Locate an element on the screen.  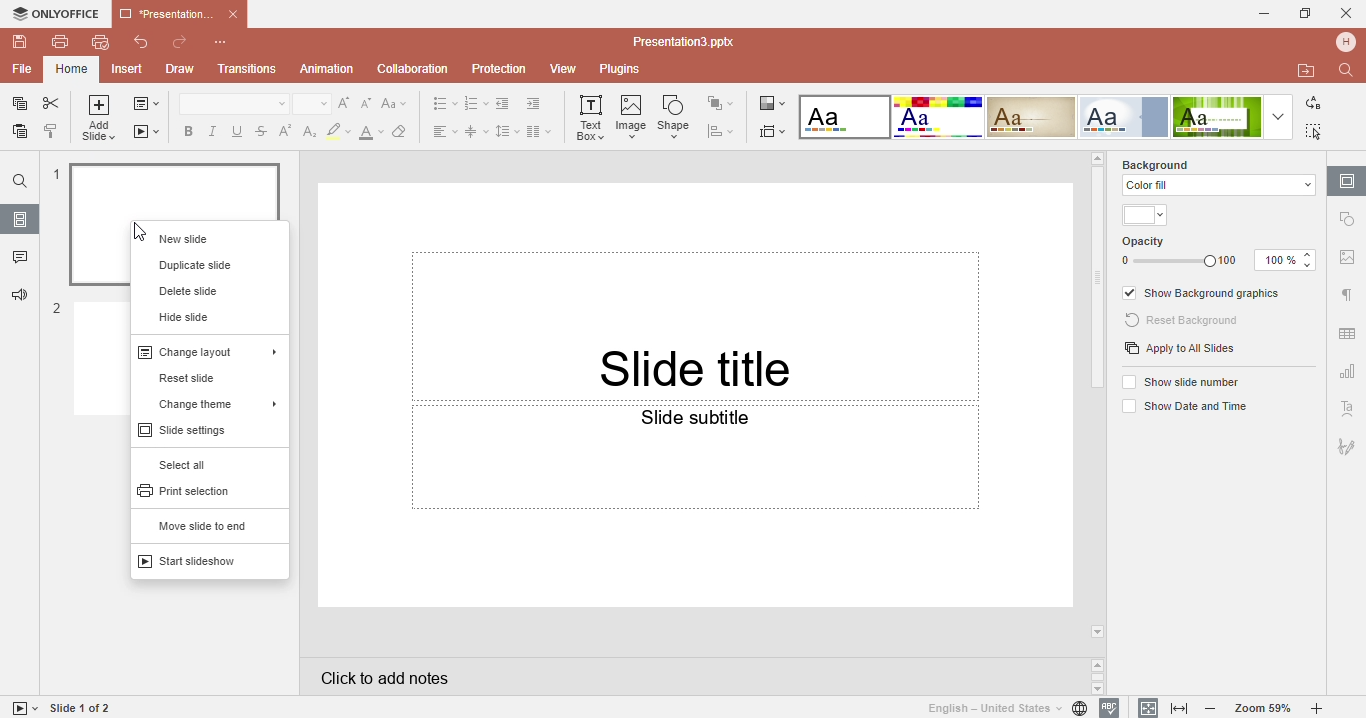
Set document language is located at coordinates (1006, 708).